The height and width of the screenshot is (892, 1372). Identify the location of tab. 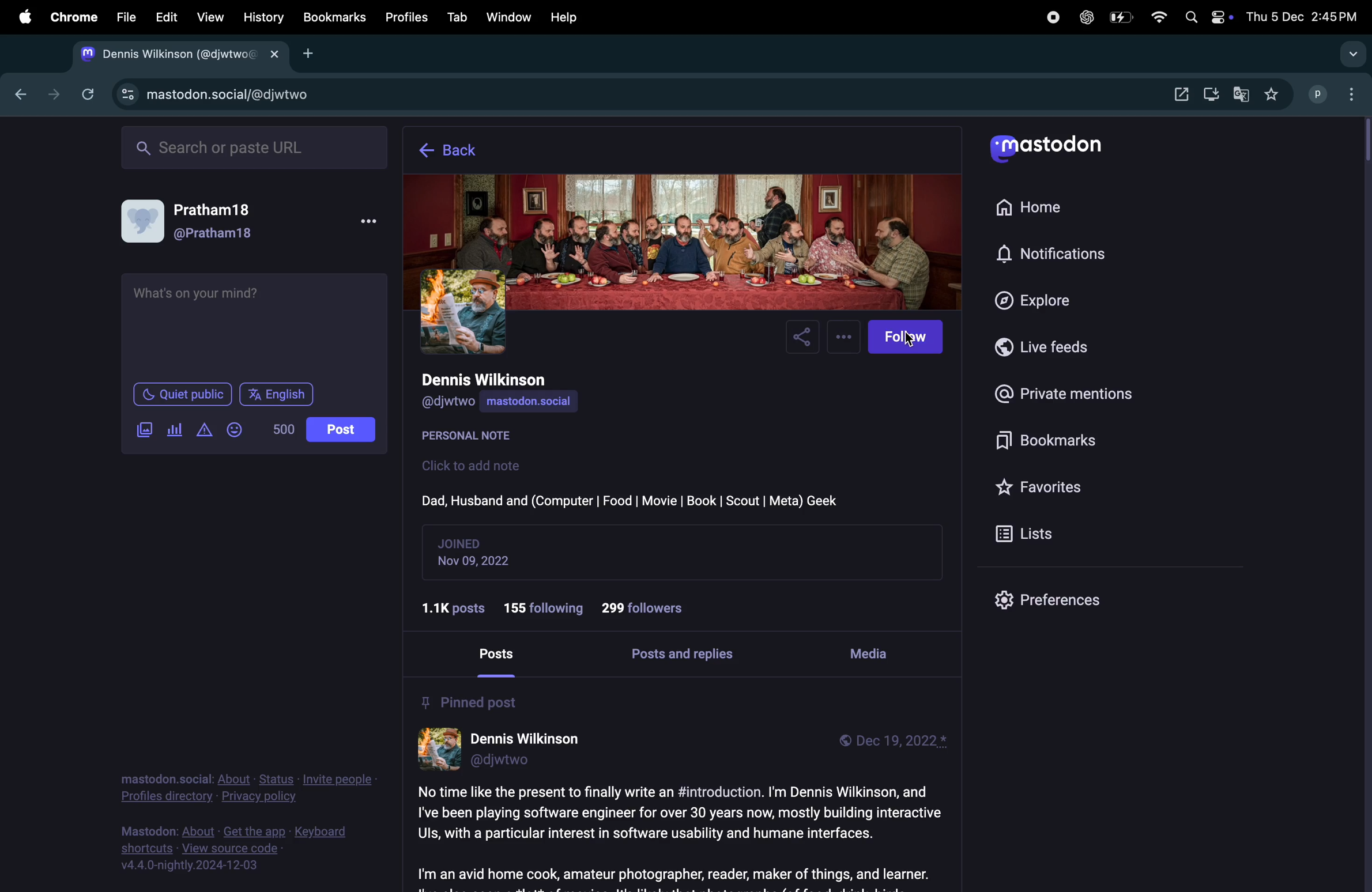
(457, 16).